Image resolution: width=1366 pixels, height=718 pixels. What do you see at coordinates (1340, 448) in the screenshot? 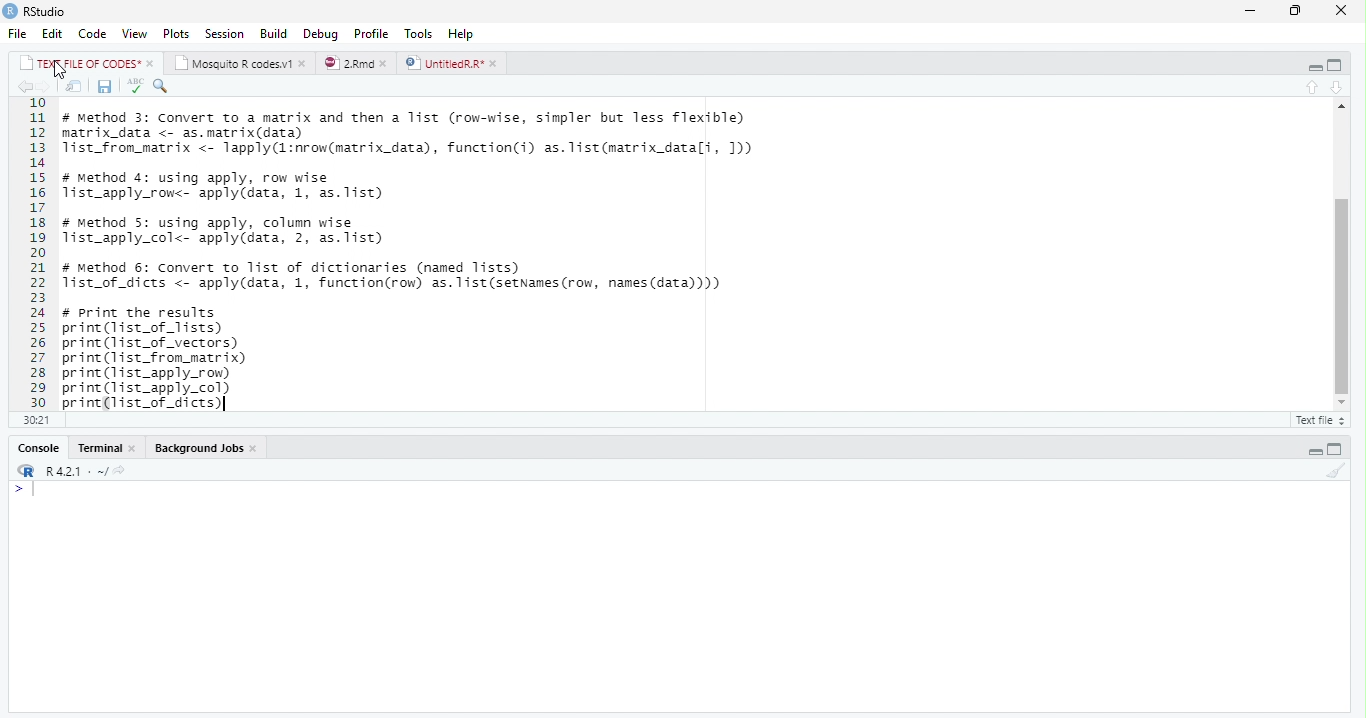
I see `Full Height` at bounding box center [1340, 448].